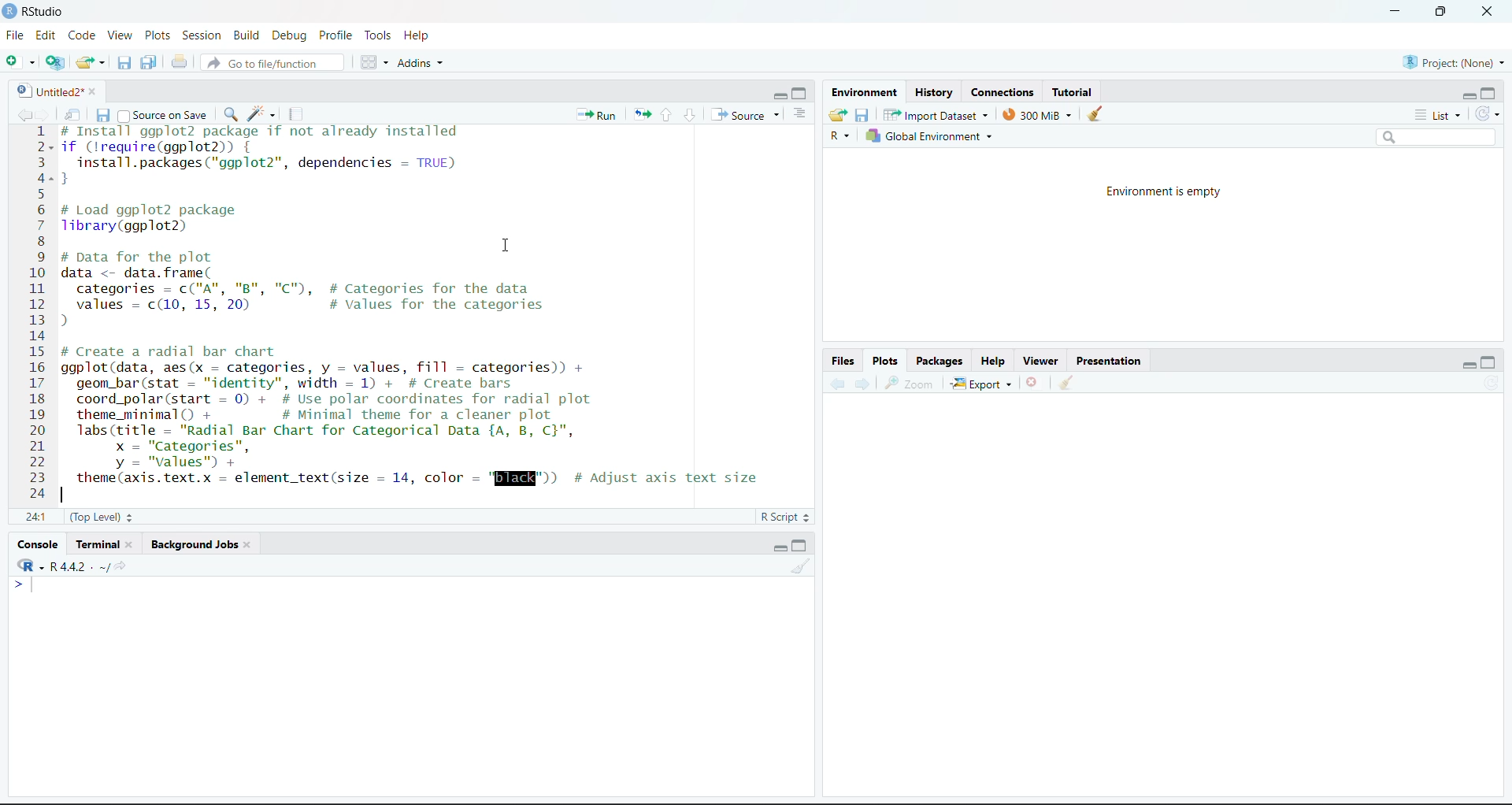 The width and height of the screenshot is (1512, 805). Describe the element at coordinates (89, 61) in the screenshot. I see `open an existing file` at that location.